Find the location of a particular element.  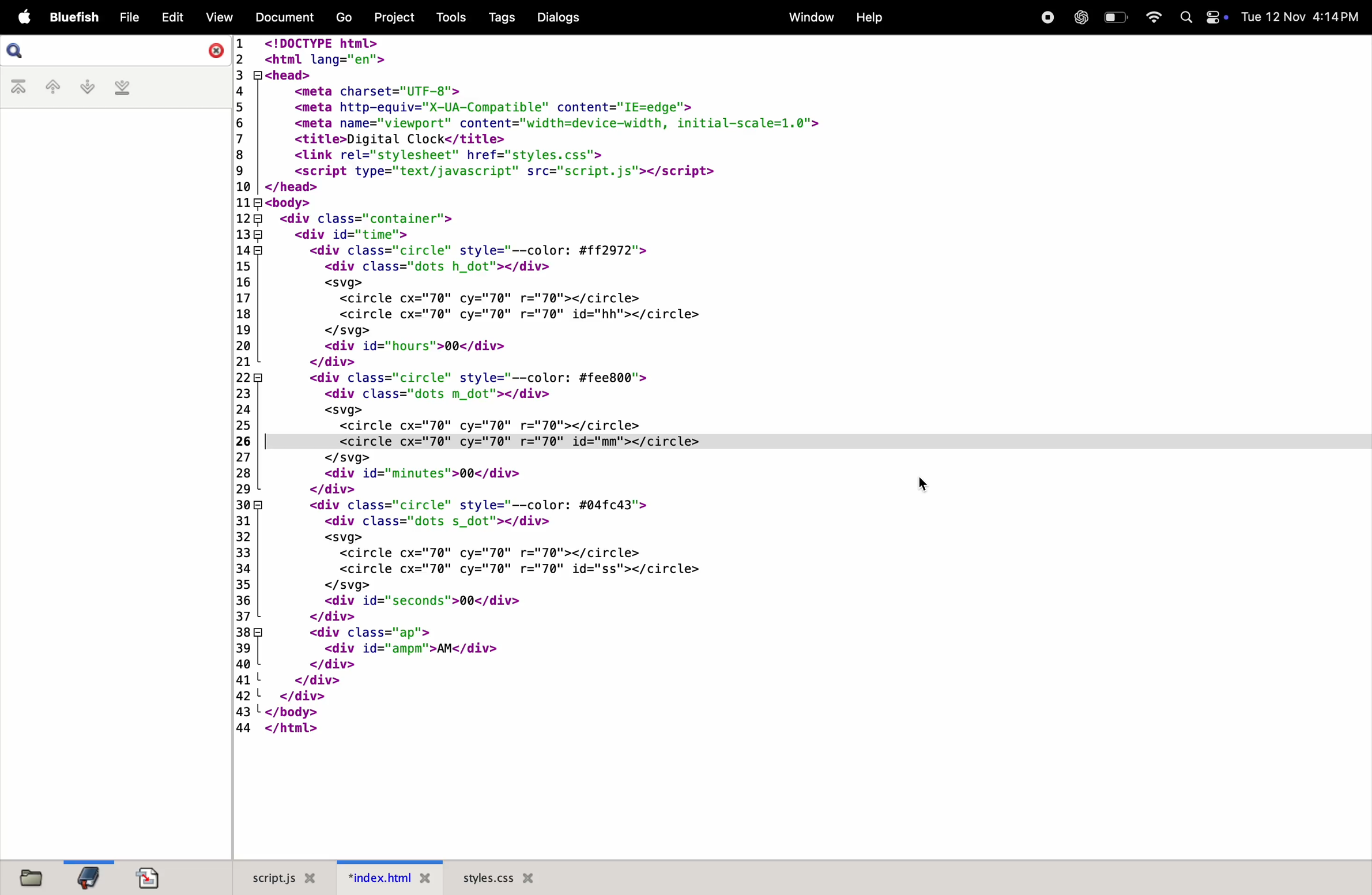

previous bookmark is located at coordinates (50, 88).